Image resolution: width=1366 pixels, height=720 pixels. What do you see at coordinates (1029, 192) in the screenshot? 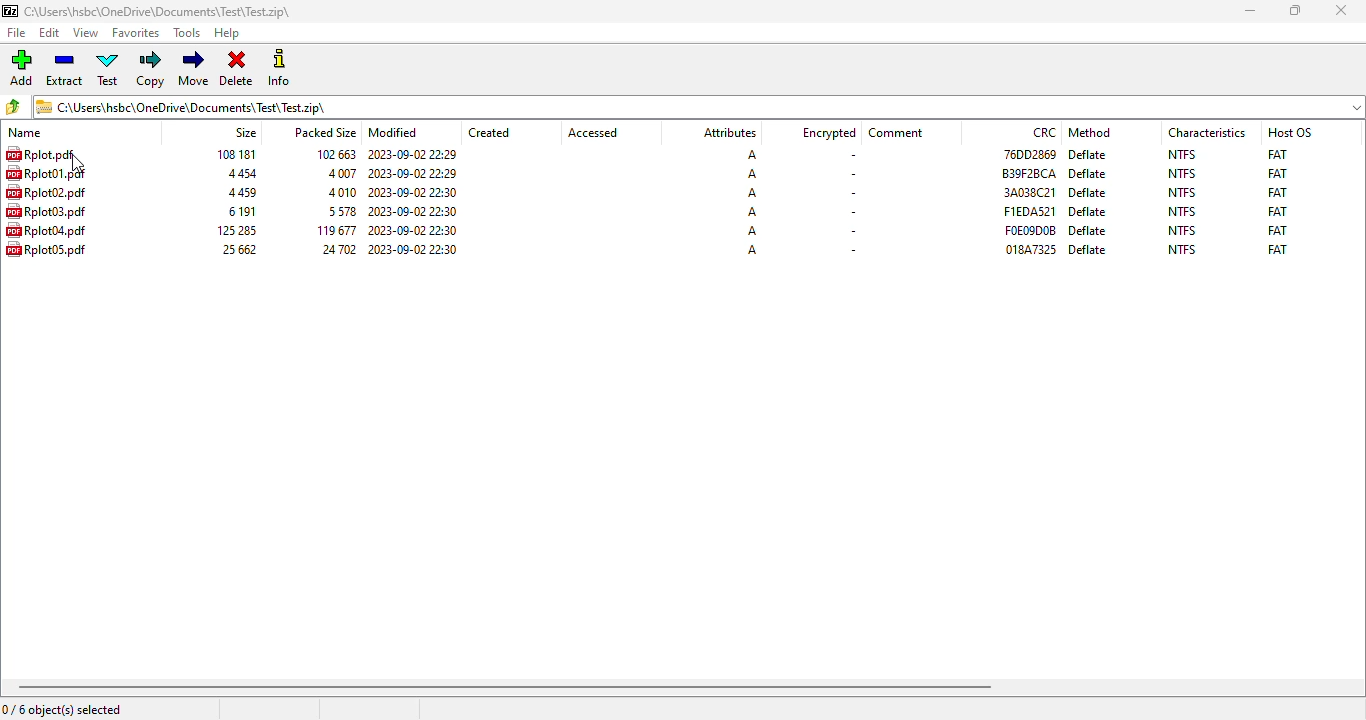
I see `CRC` at bounding box center [1029, 192].